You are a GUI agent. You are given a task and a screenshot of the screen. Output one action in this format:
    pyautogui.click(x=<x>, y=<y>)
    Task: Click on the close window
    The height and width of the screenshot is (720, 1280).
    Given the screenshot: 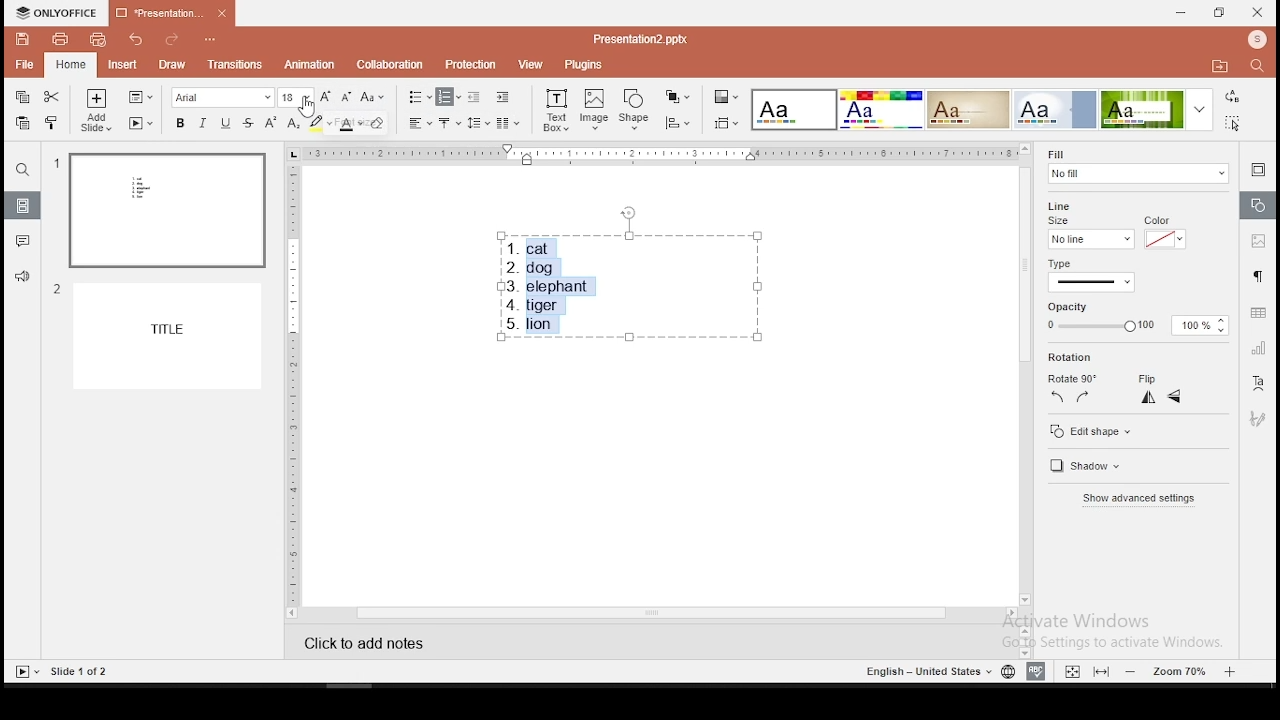 What is the action you would take?
    pyautogui.click(x=1259, y=13)
    